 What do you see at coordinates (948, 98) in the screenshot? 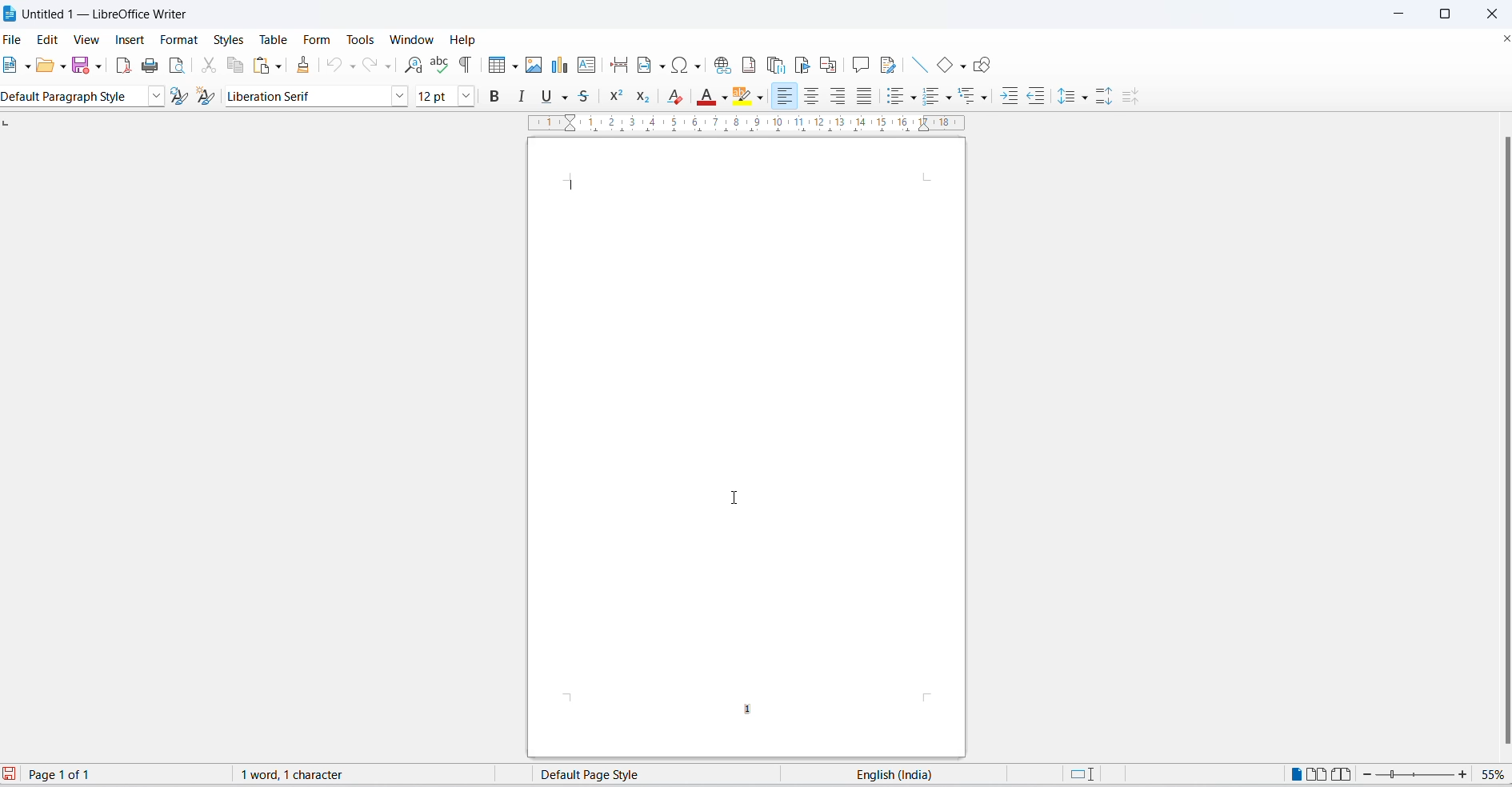
I see `toggle ordered list options` at bounding box center [948, 98].